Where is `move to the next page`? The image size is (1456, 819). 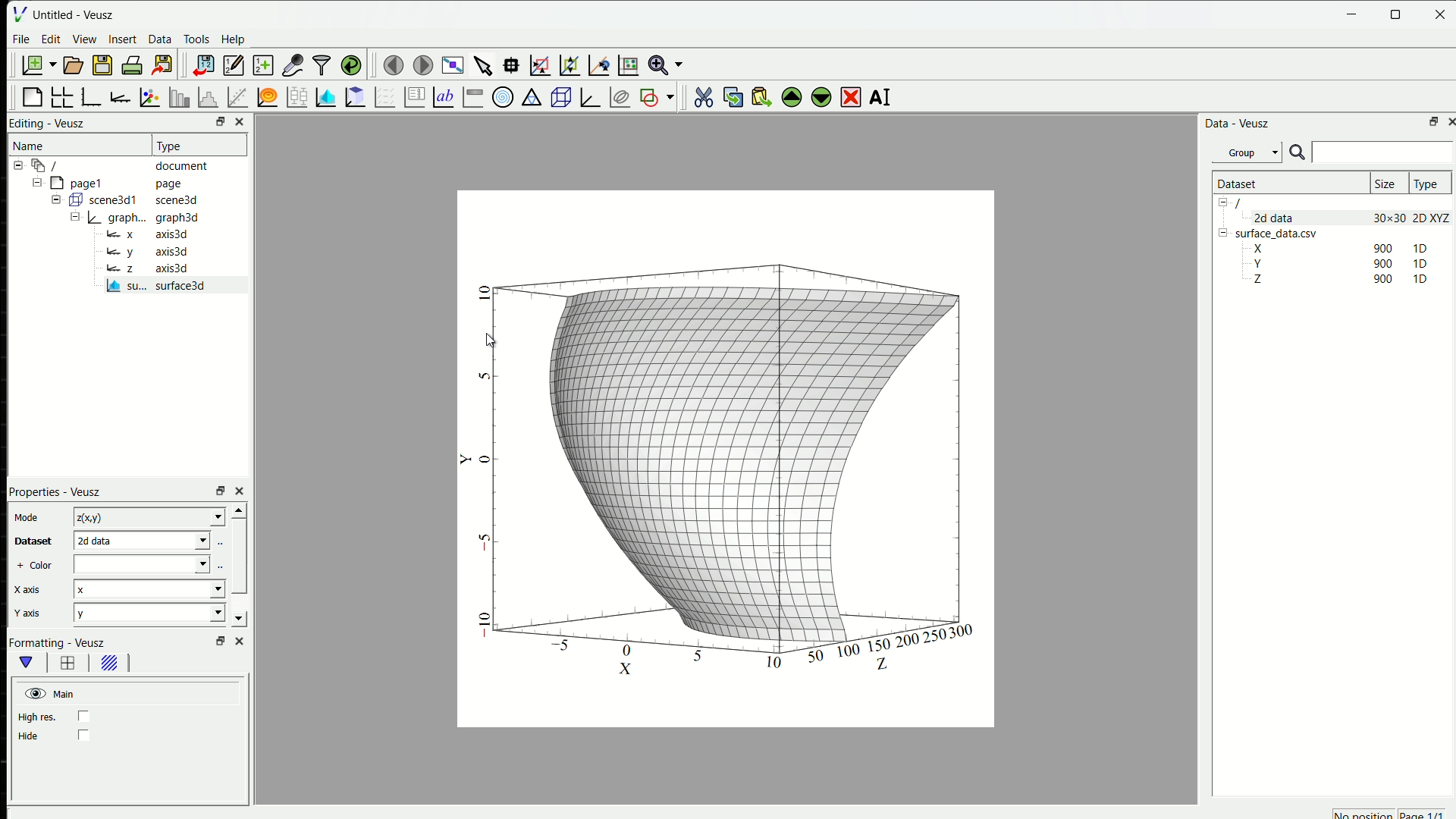
move to the next page is located at coordinates (422, 65).